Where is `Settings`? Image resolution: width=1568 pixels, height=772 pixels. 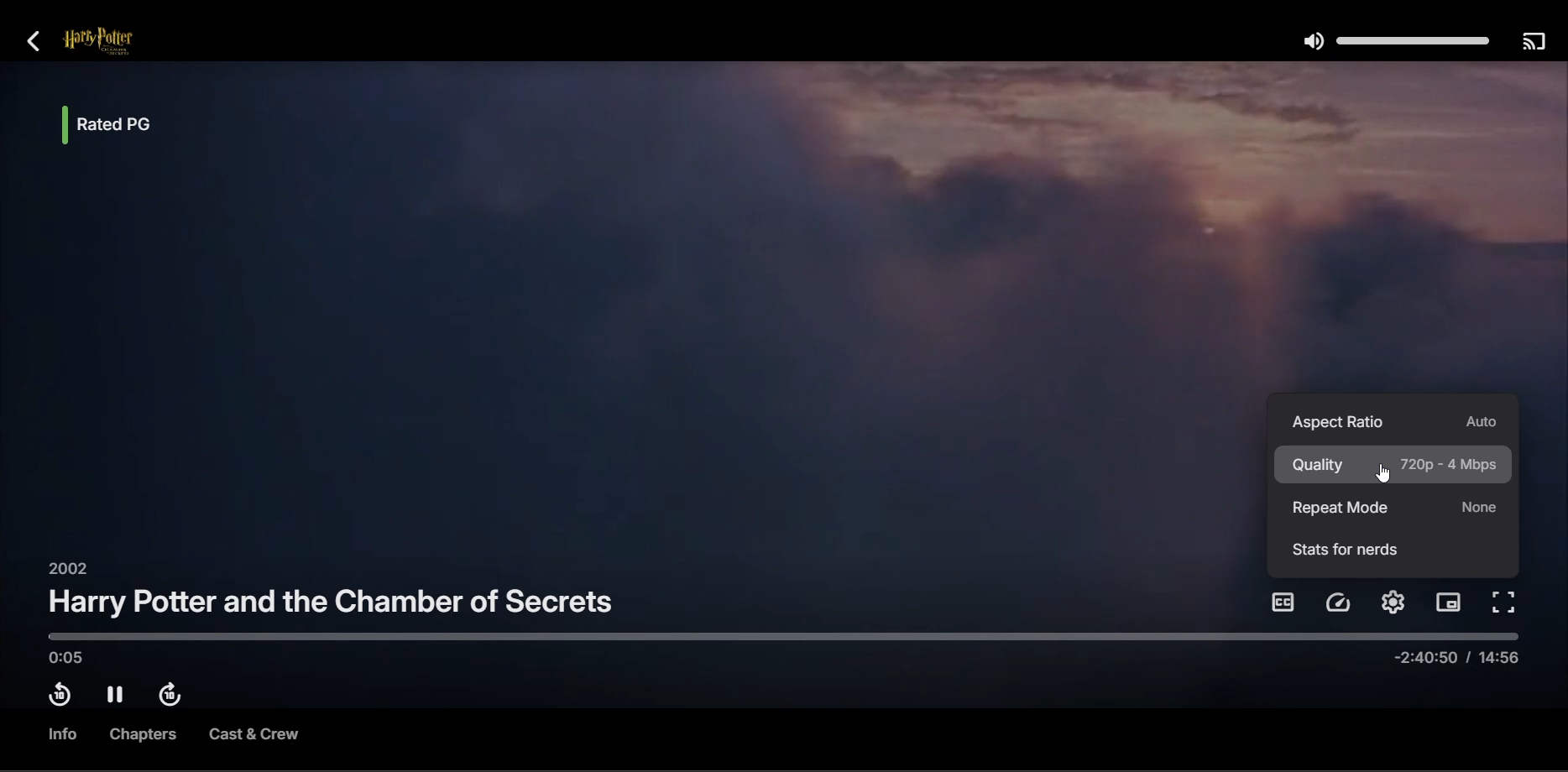 Settings is located at coordinates (1396, 602).